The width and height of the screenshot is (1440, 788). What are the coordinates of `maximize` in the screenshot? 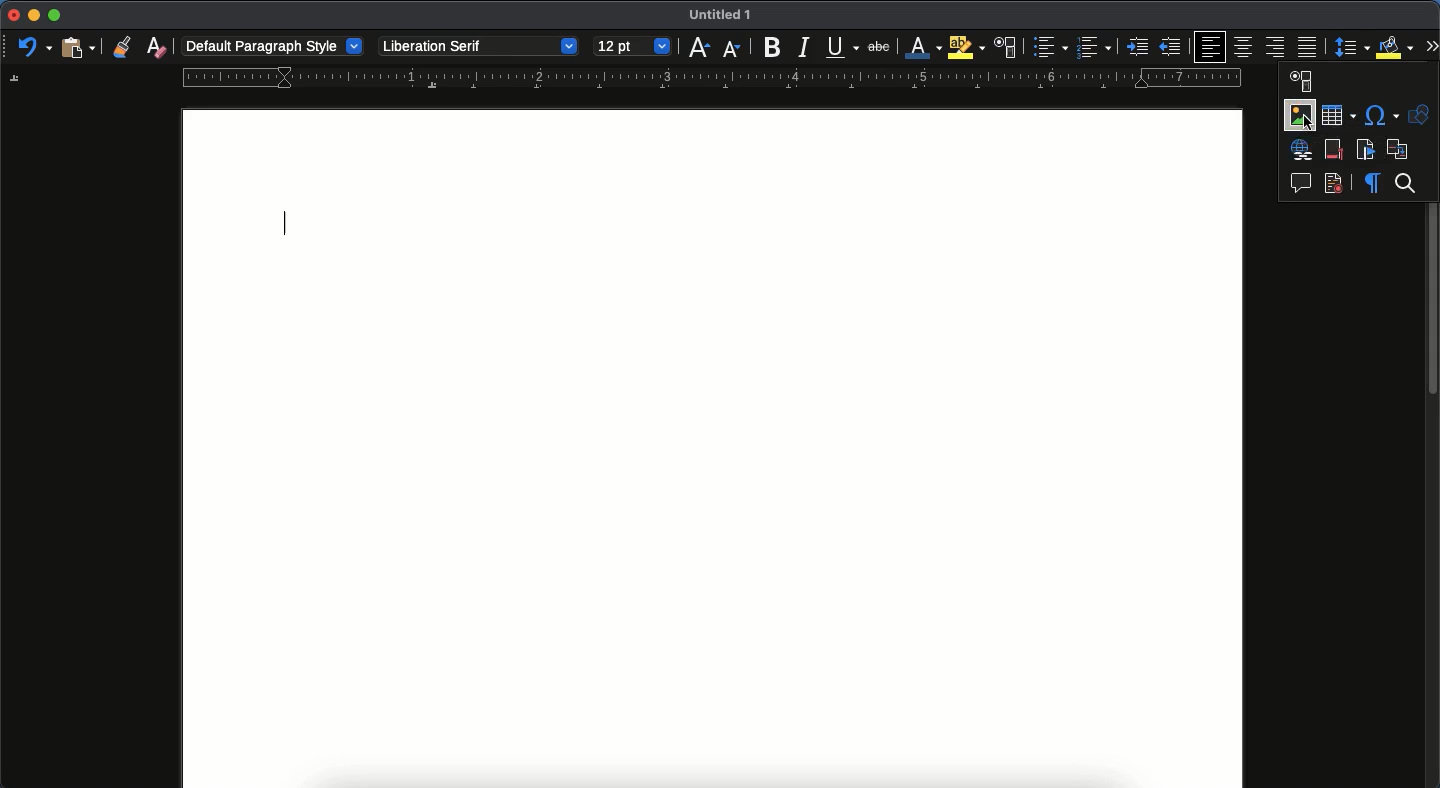 It's located at (54, 16).